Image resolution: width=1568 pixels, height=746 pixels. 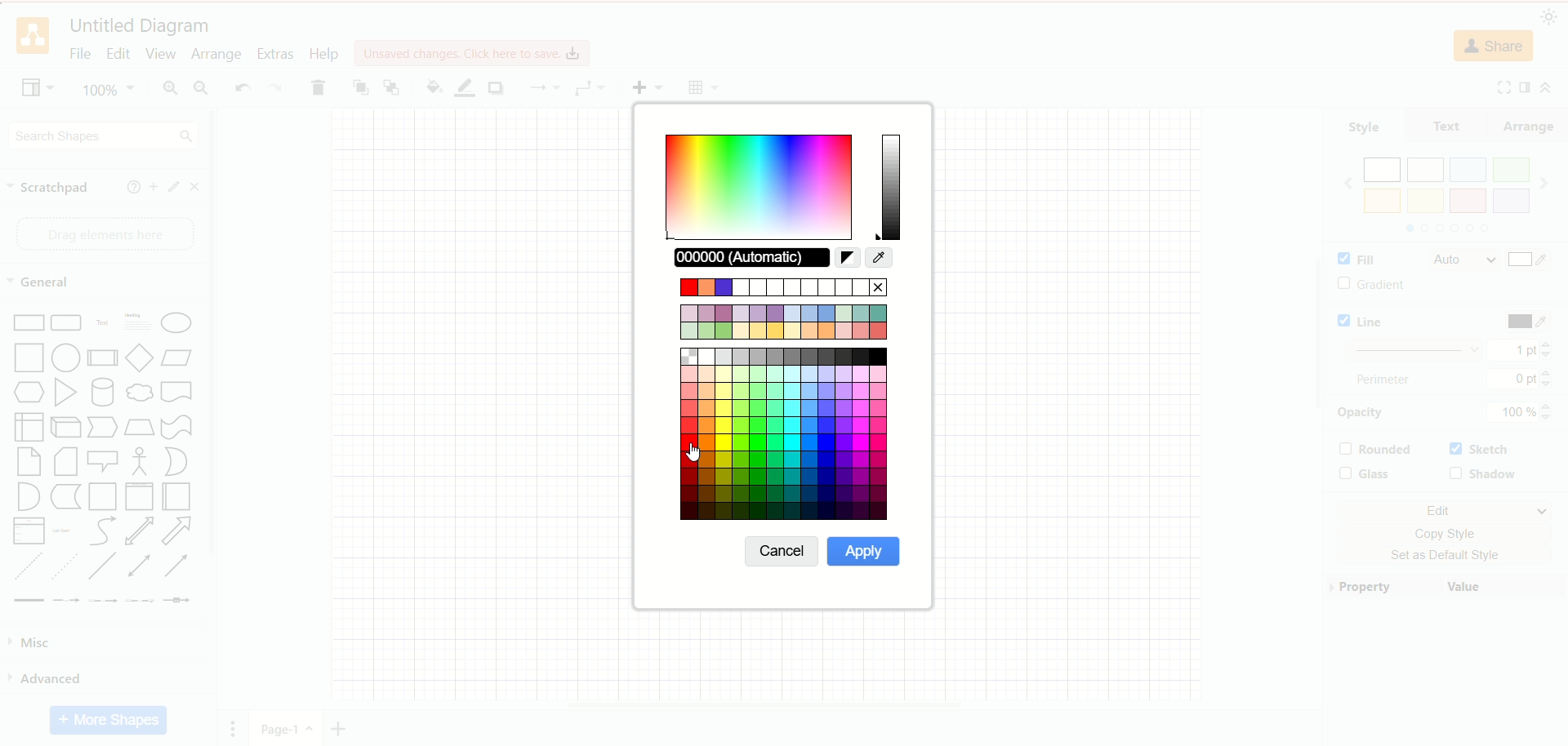 What do you see at coordinates (757, 183) in the screenshot?
I see `gradient color map` at bounding box center [757, 183].